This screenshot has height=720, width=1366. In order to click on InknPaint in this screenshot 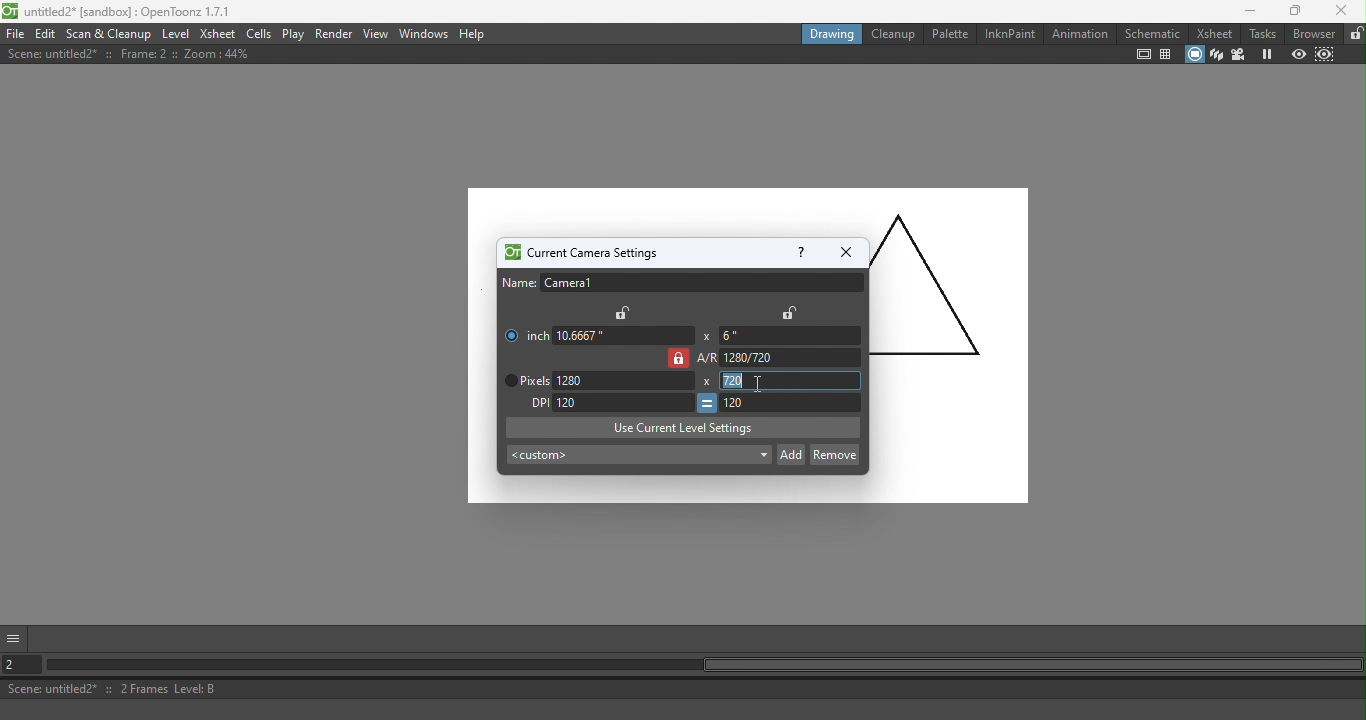, I will do `click(1011, 34)`.